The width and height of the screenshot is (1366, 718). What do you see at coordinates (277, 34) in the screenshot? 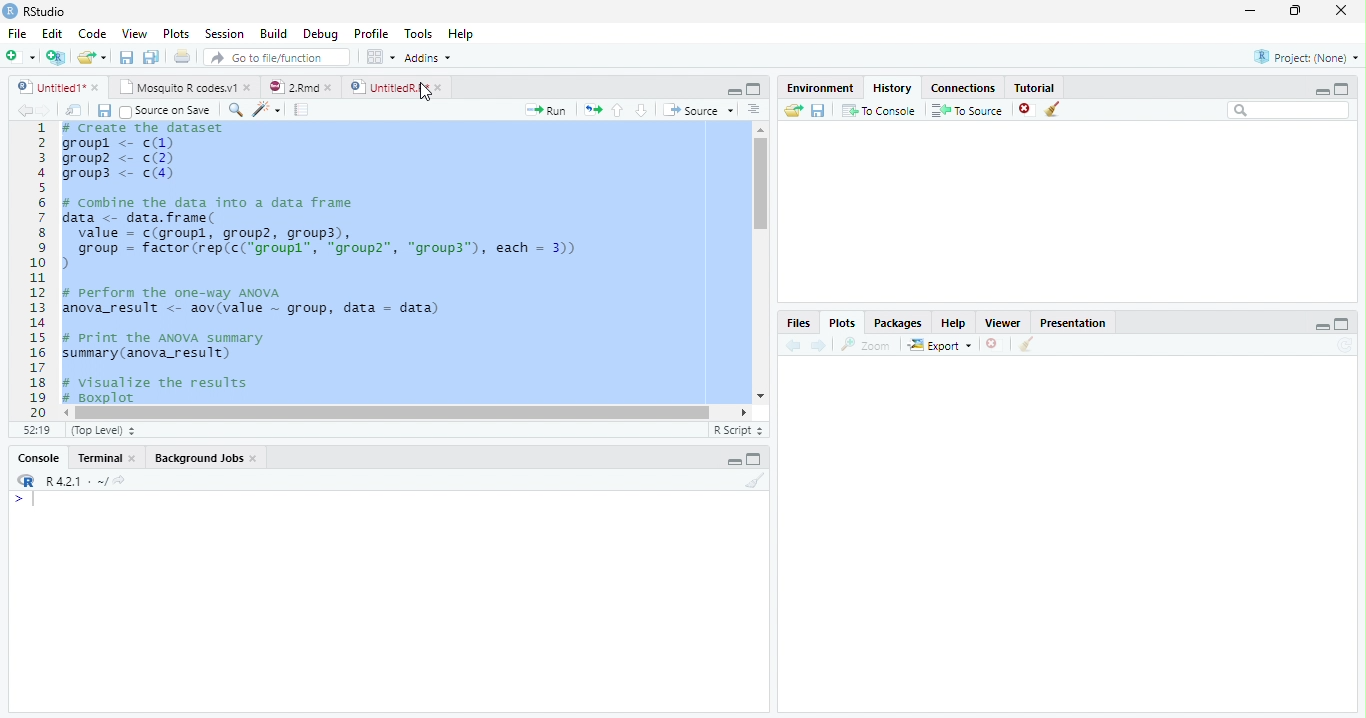
I see `Build` at bounding box center [277, 34].